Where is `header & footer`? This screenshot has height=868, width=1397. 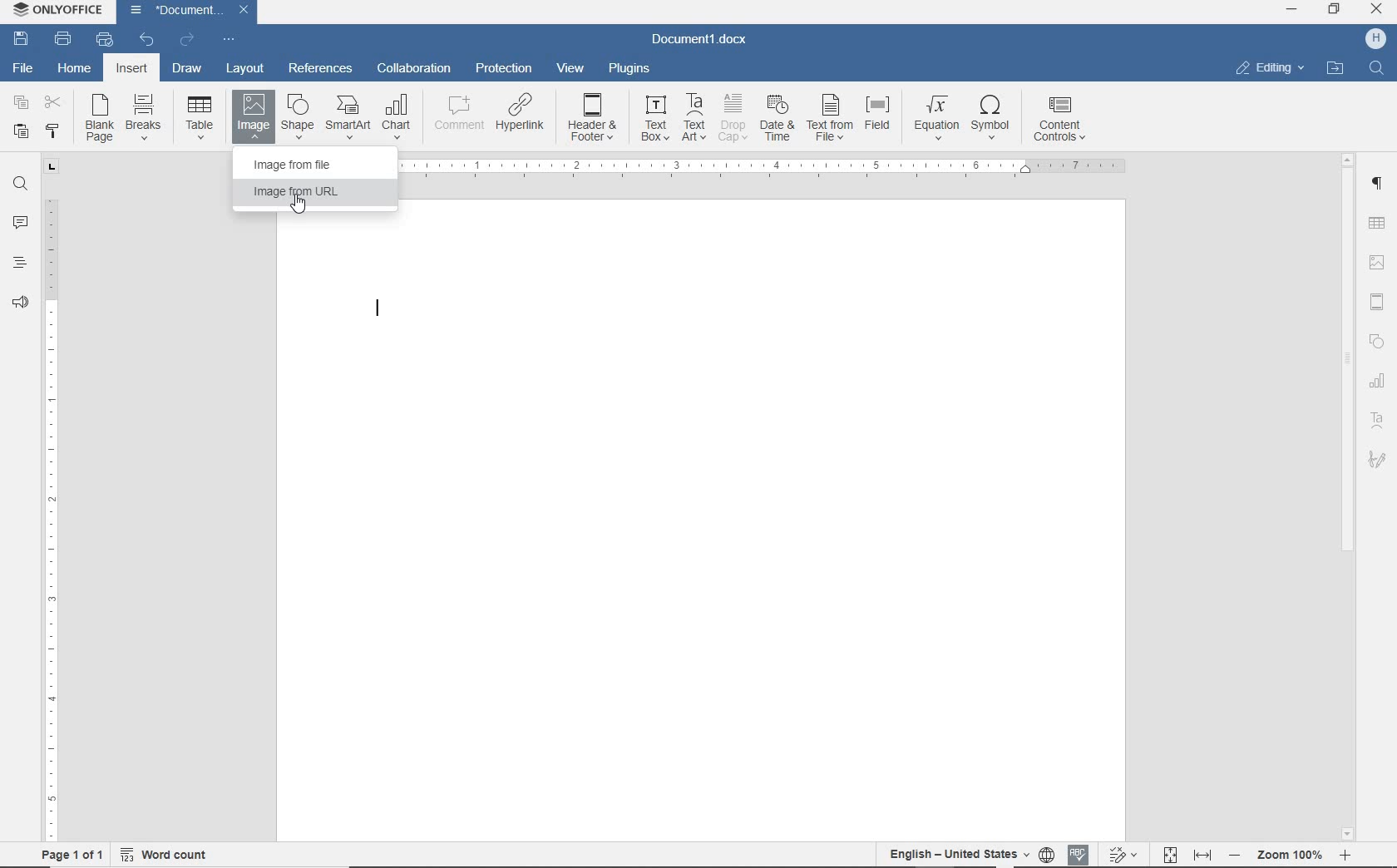
header & footer is located at coordinates (1378, 300).